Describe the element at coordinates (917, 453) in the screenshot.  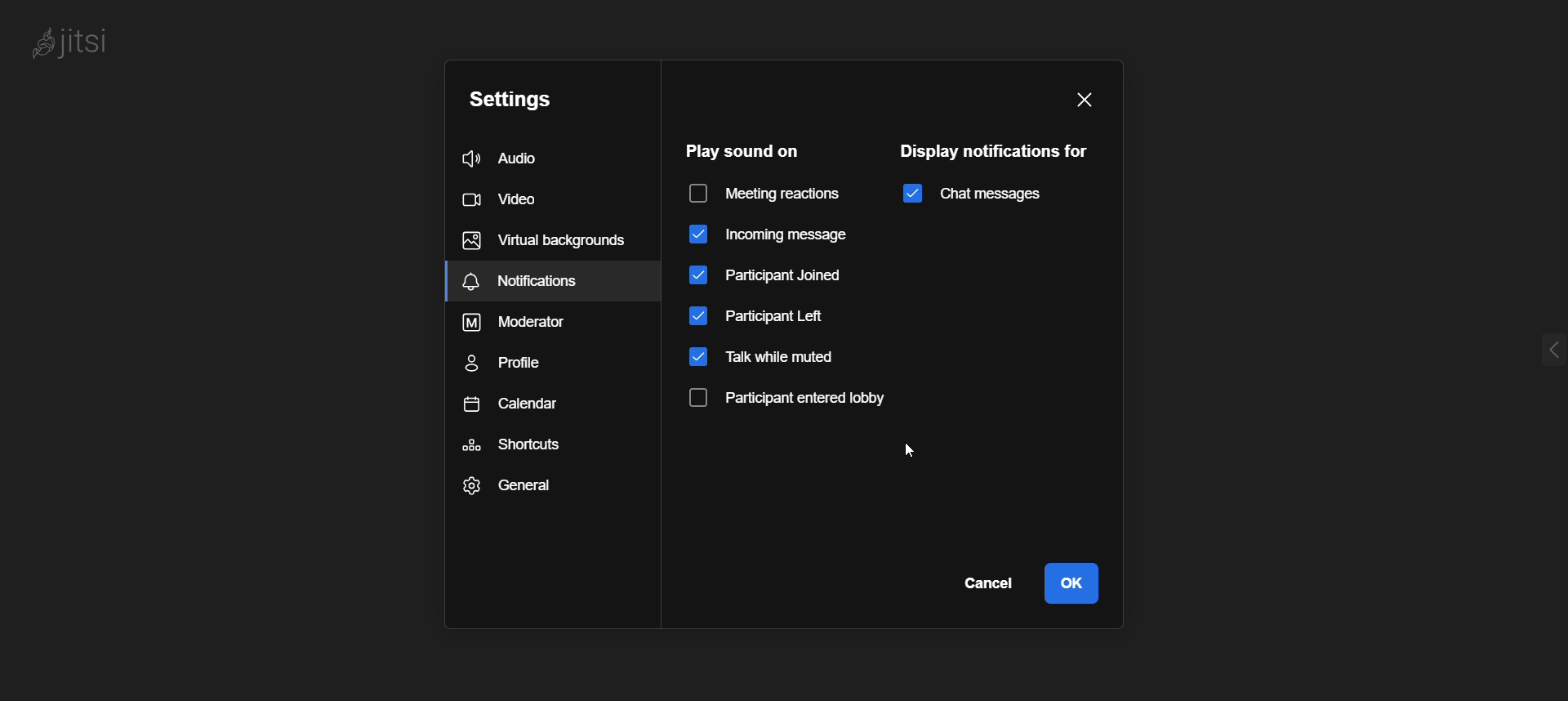
I see `Cursor` at that location.